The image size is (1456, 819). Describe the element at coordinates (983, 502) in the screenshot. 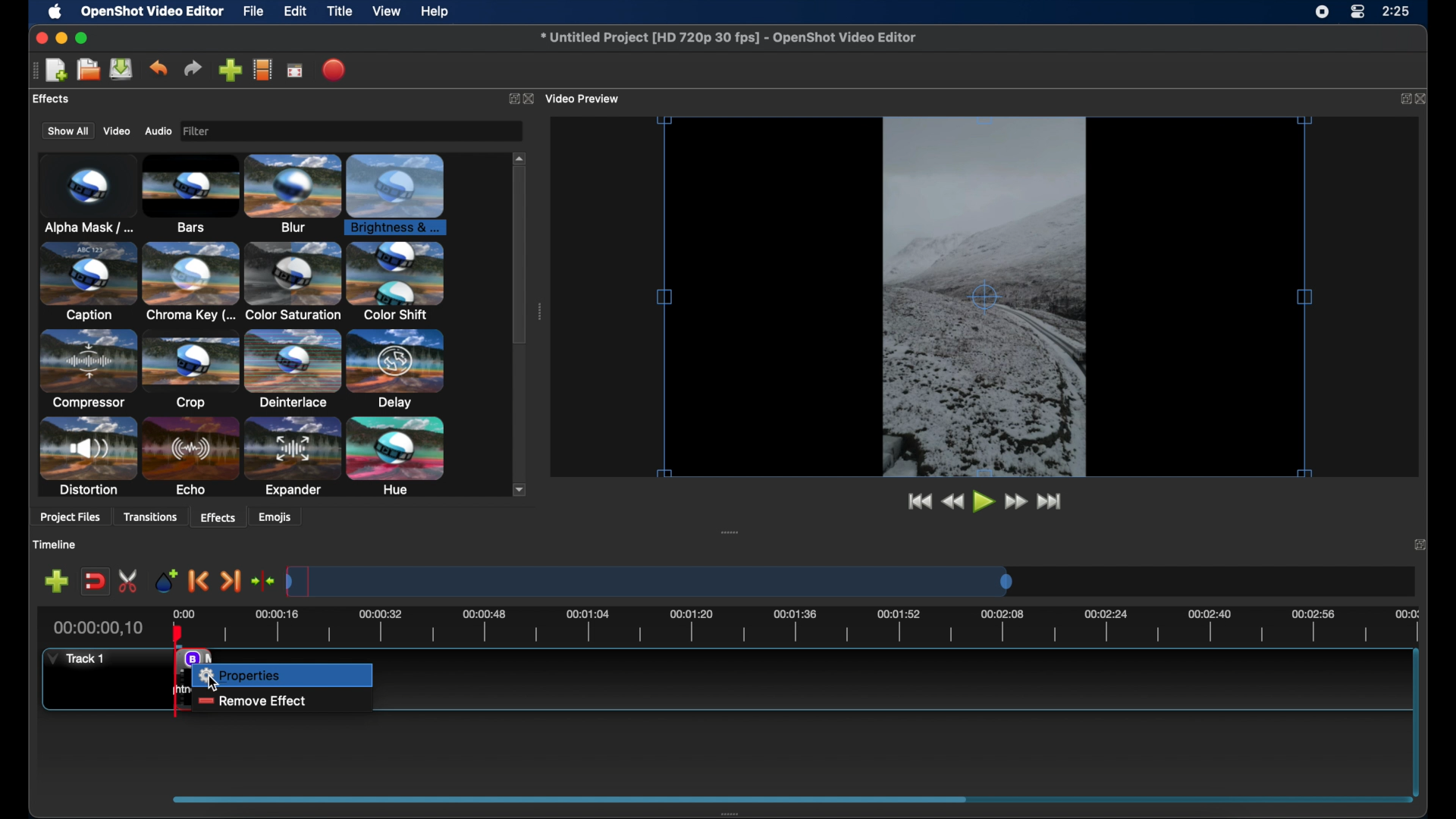

I see `play button` at that location.